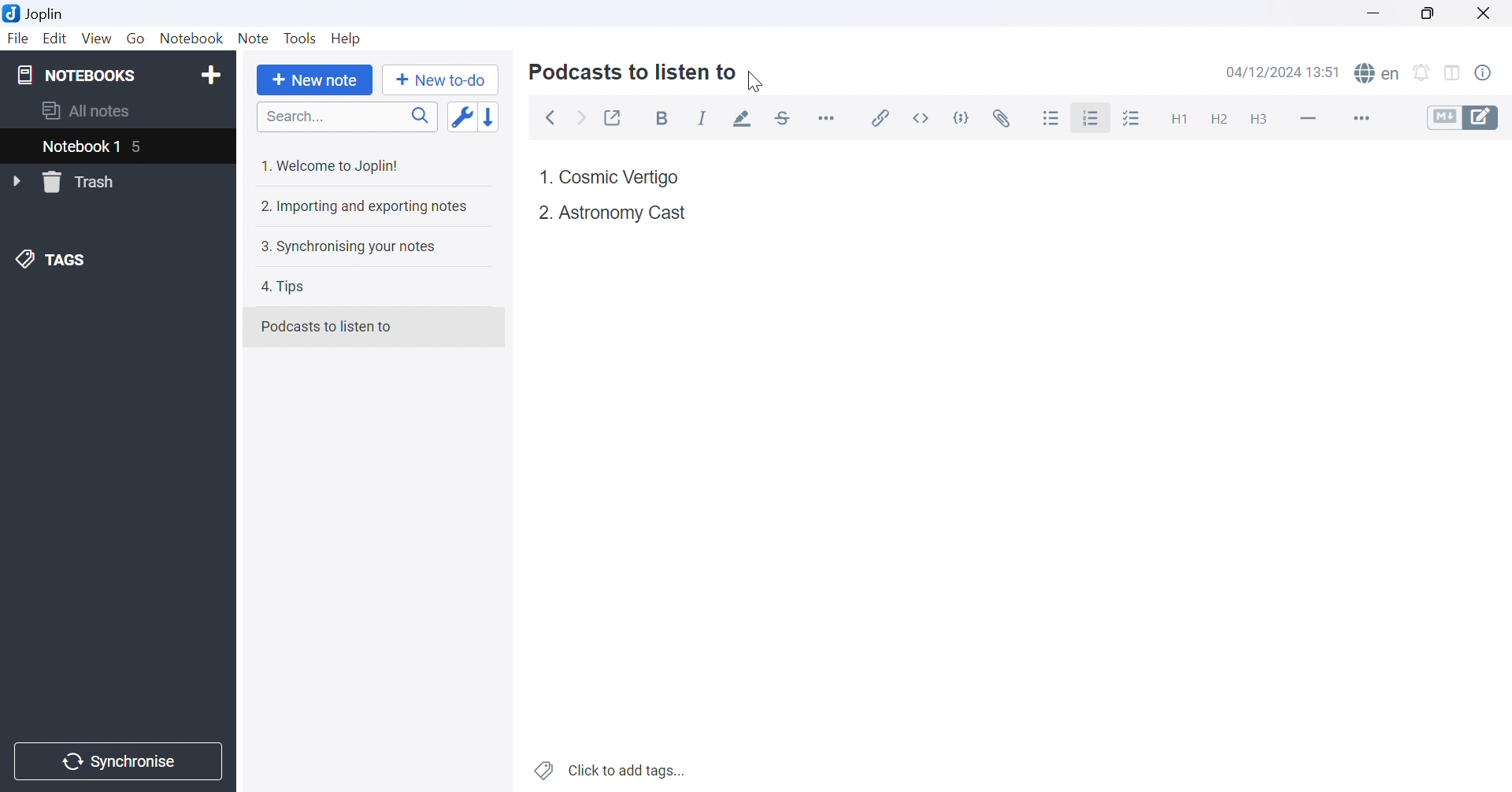  I want to click on Podcasts to listen to, so click(328, 325).